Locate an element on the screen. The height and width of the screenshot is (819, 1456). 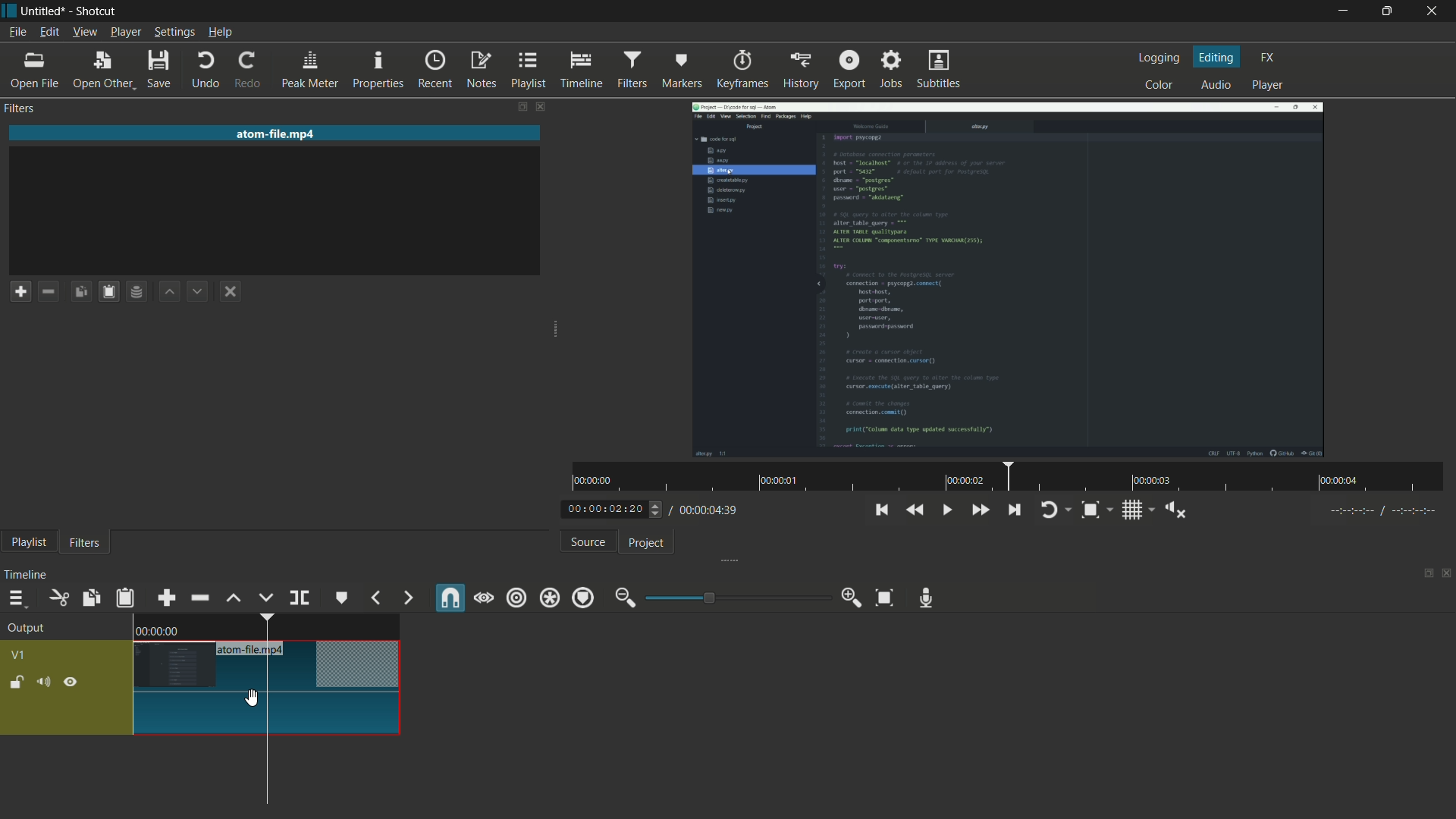
close filters is located at coordinates (543, 108).